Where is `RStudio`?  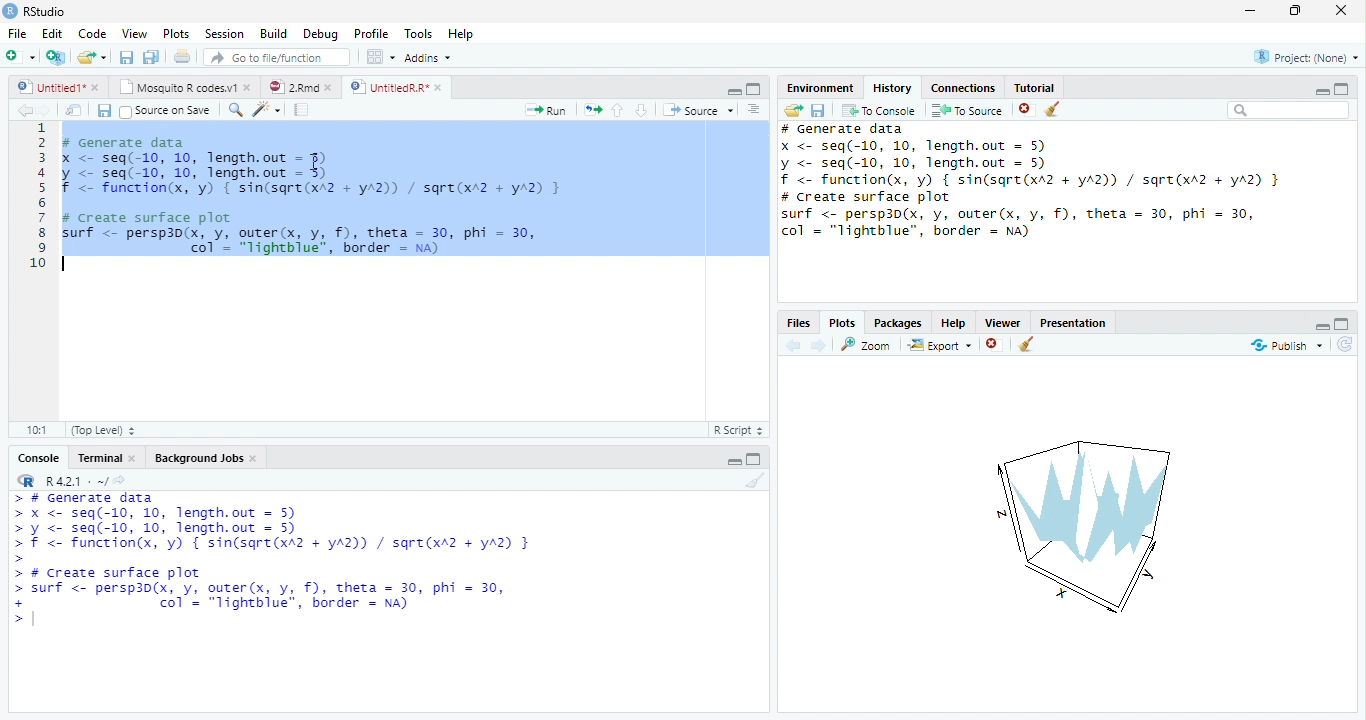 RStudio is located at coordinates (34, 11).